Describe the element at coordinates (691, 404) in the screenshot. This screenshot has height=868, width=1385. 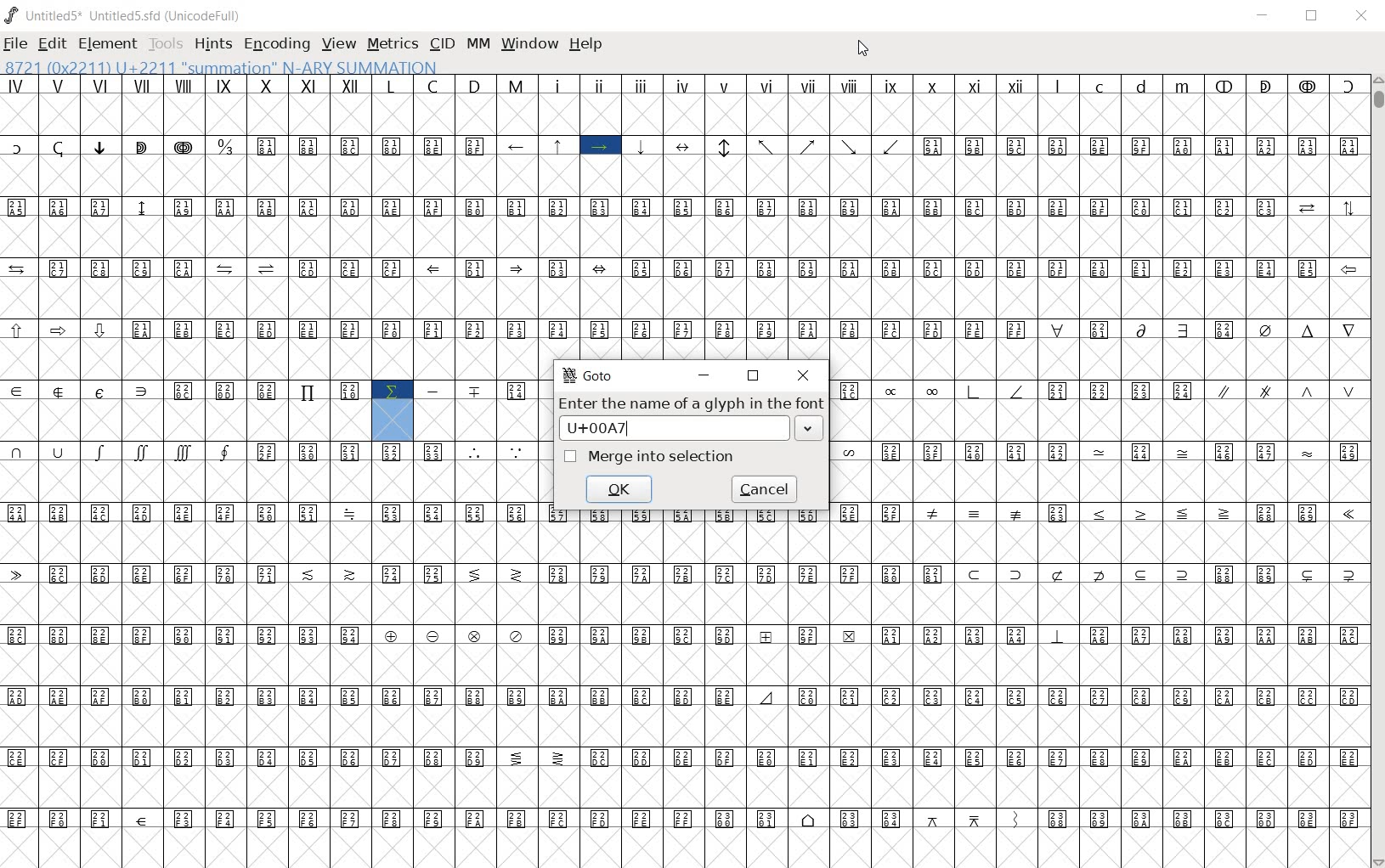
I see `Enter the name of a glyph in the font` at that location.